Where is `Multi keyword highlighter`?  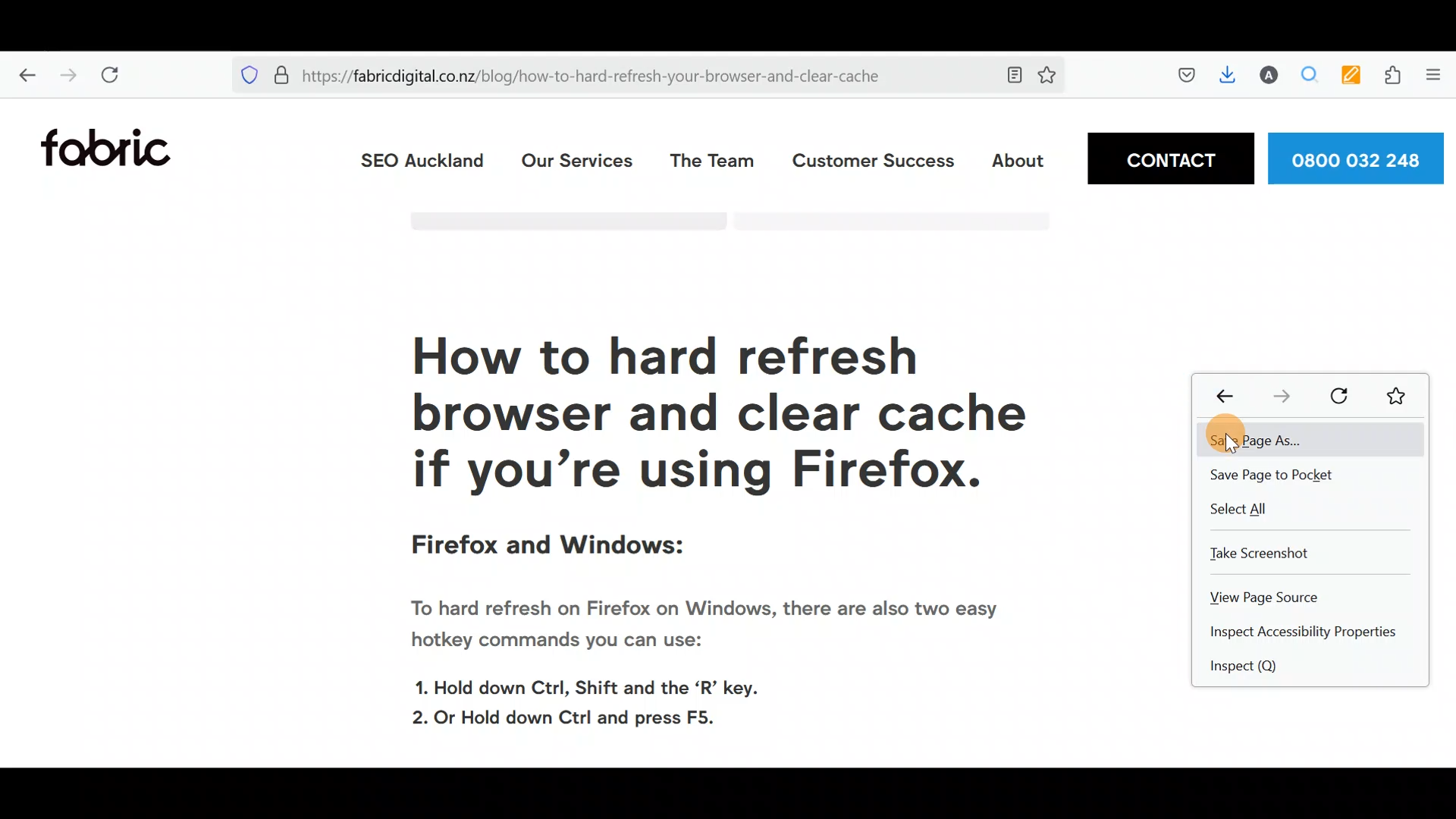
Multi keyword highlighter is located at coordinates (1350, 77).